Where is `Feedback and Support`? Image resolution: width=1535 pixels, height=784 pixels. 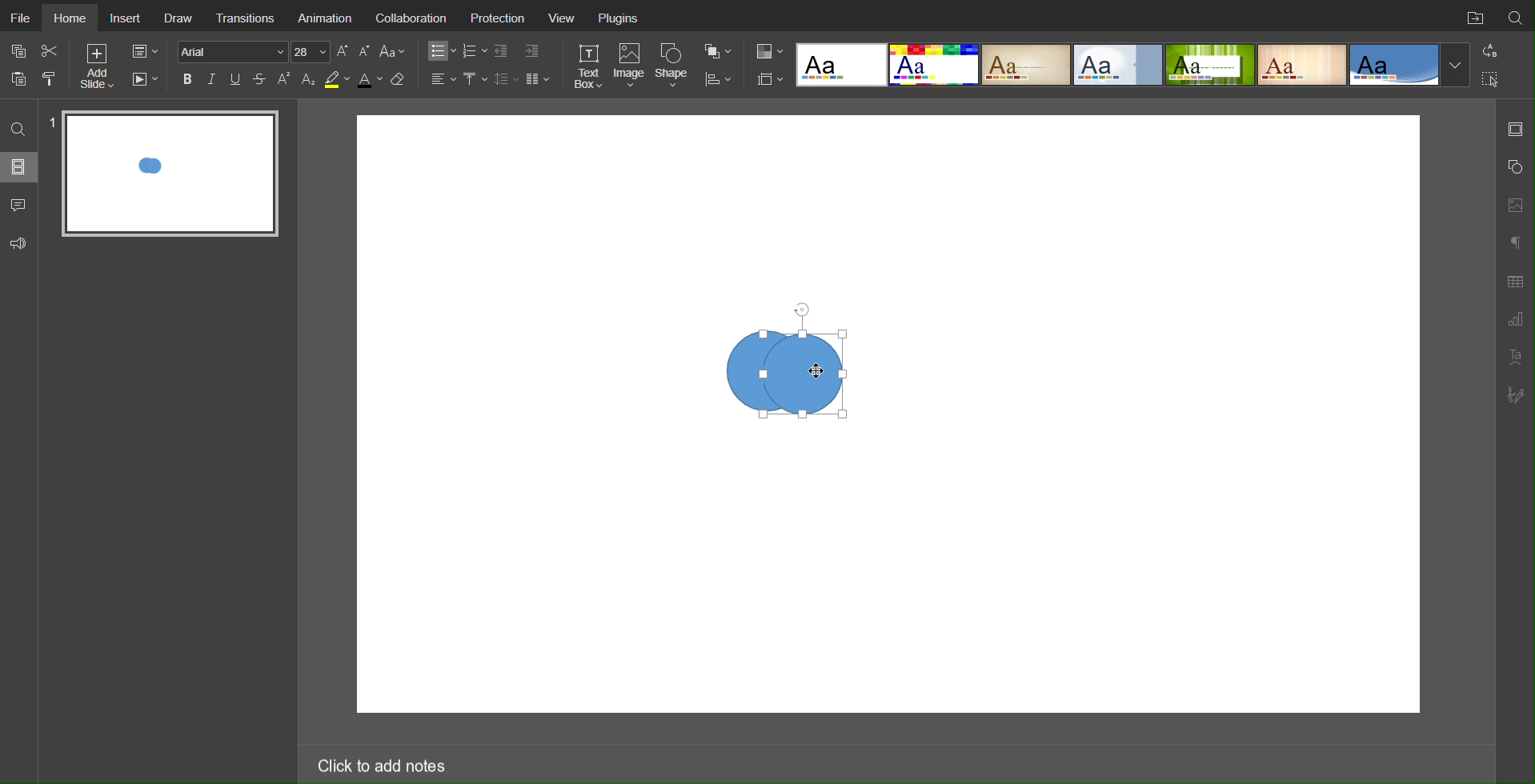
Feedback and Support is located at coordinates (18, 244).